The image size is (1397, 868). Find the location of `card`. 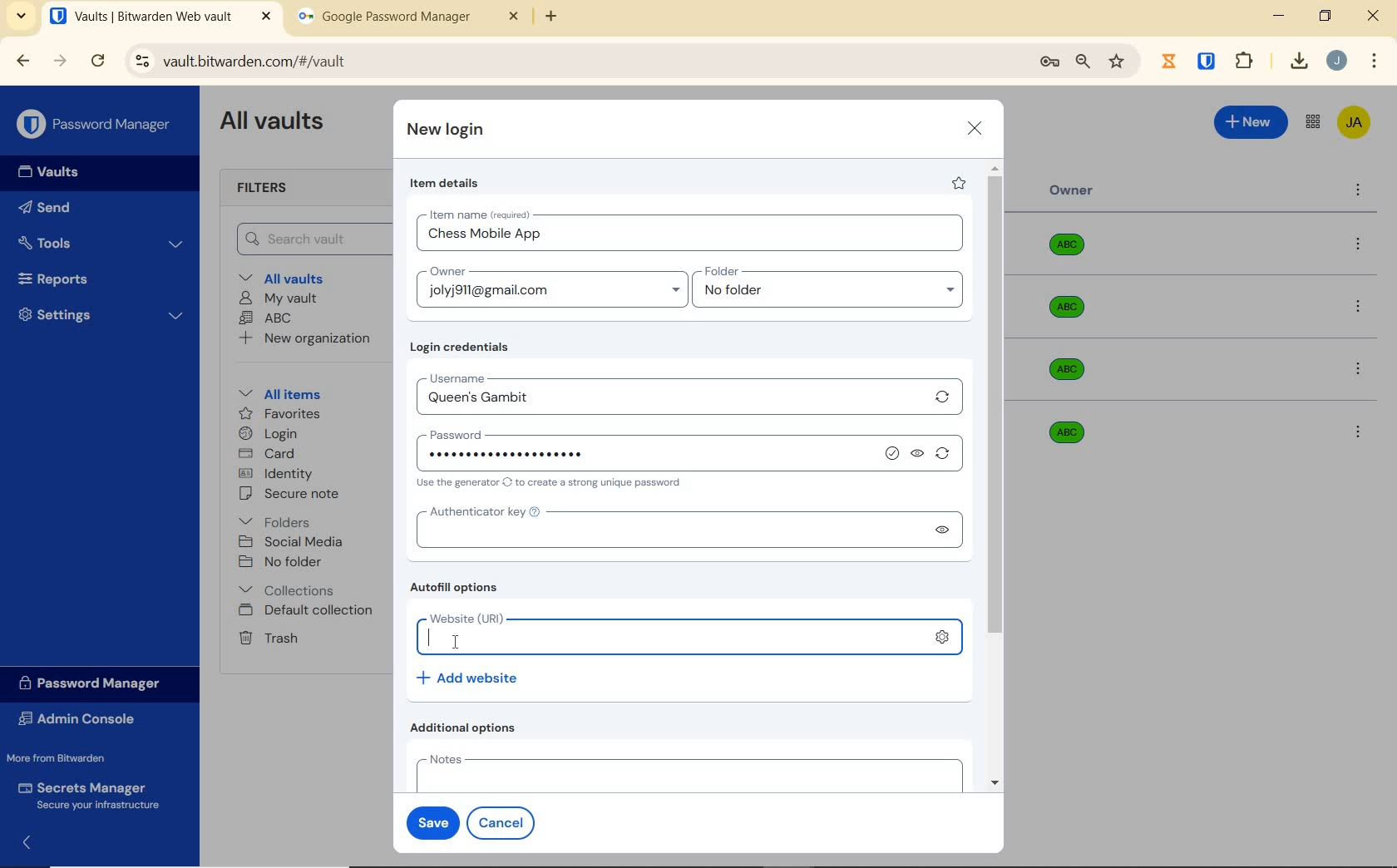

card is located at coordinates (266, 455).